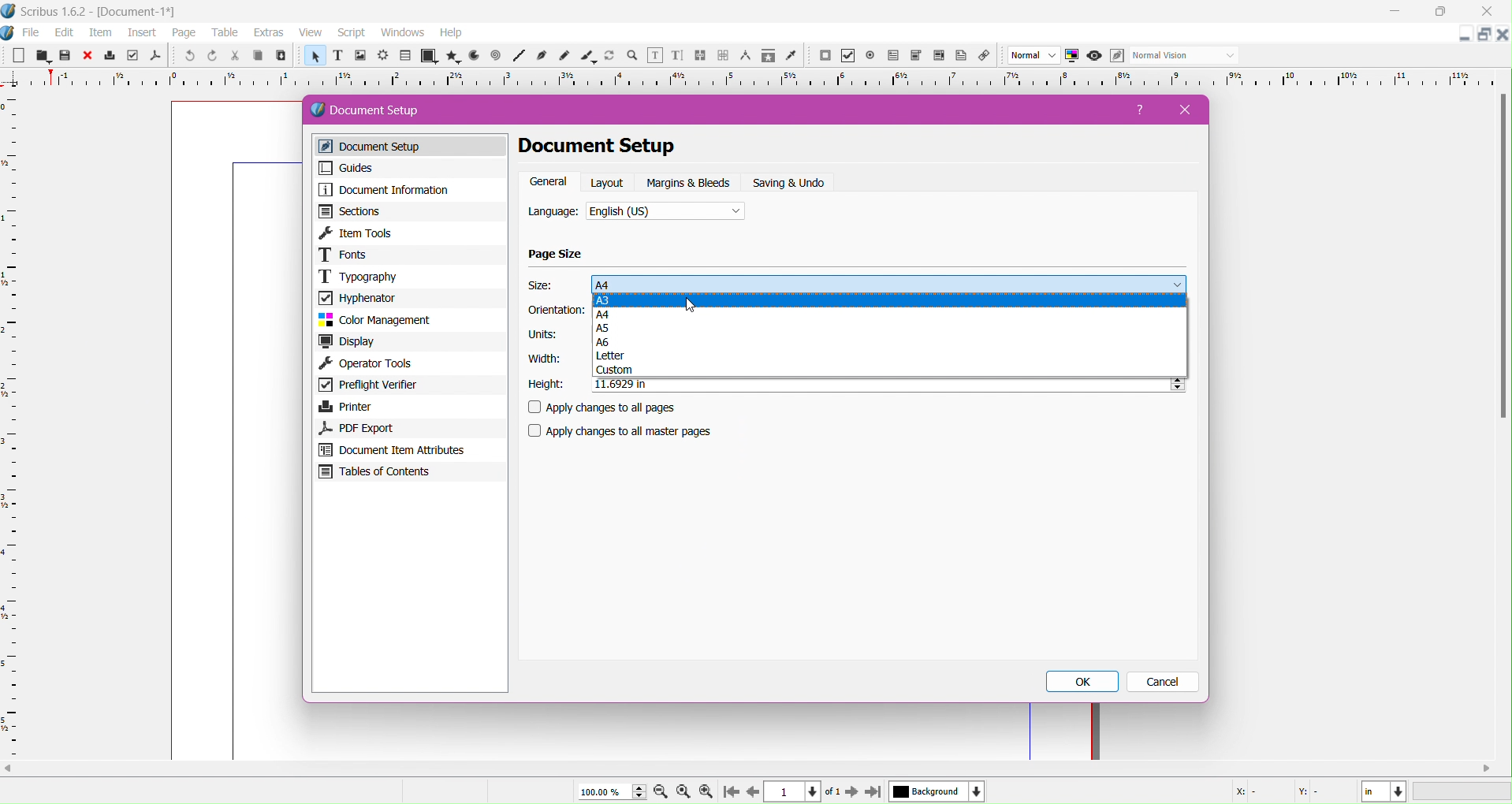 The width and height of the screenshot is (1512, 804). What do you see at coordinates (662, 793) in the screenshot?
I see `zoom out` at bounding box center [662, 793].